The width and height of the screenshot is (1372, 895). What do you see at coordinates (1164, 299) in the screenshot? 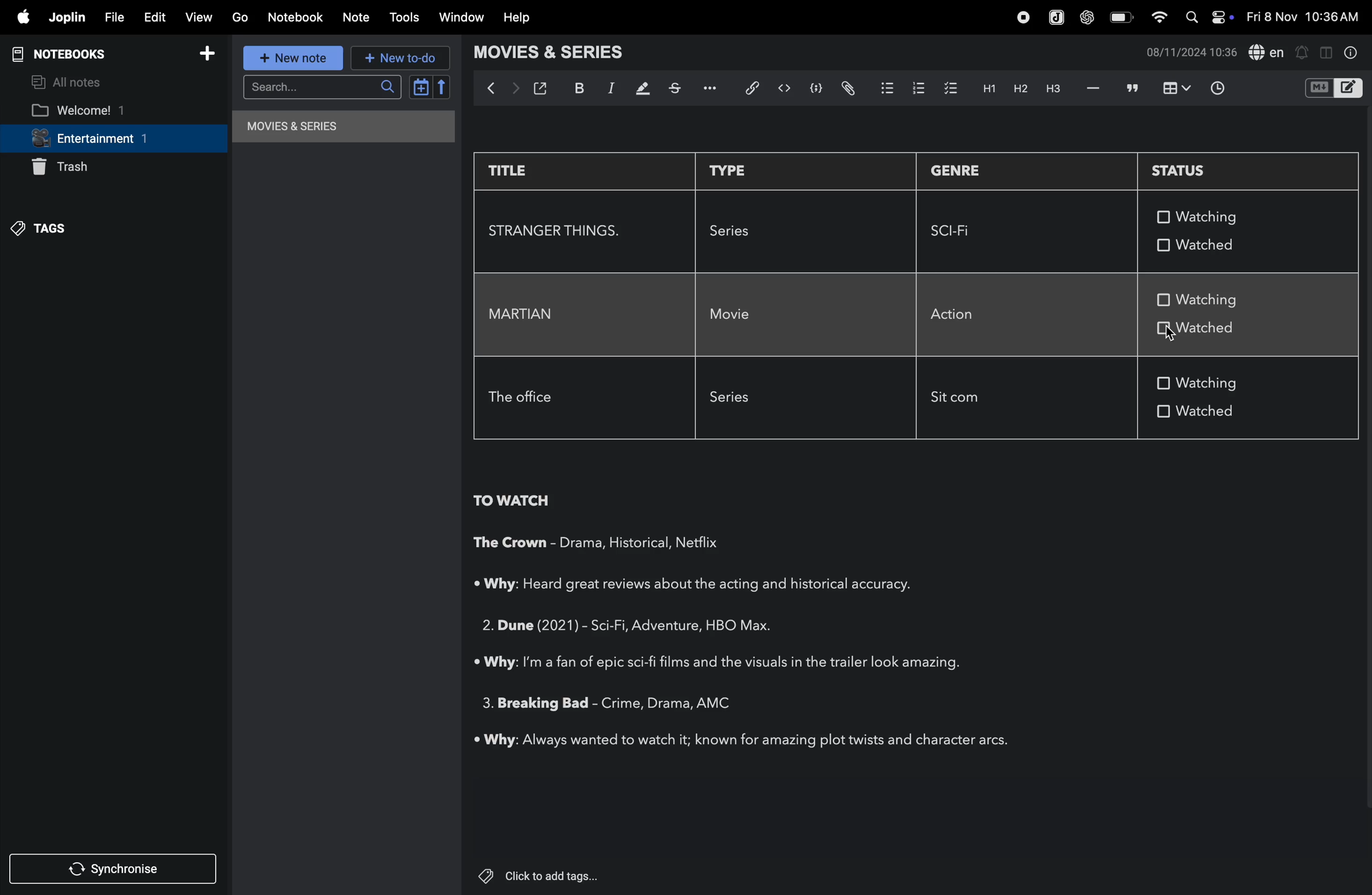
I see `check box` at bounding box center [1164, 299].